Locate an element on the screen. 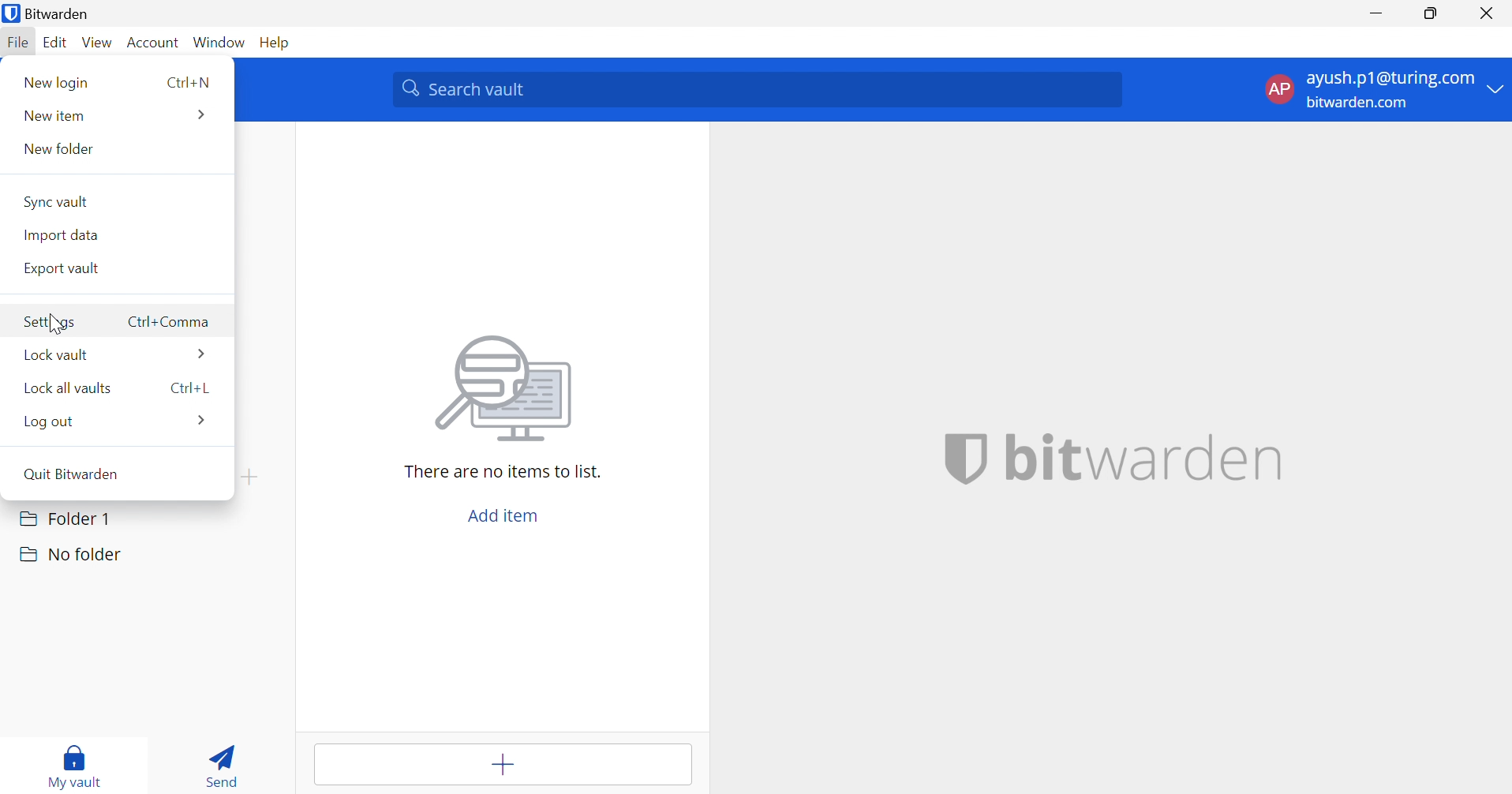  Drop Down is located at coordinates (1496, 90).